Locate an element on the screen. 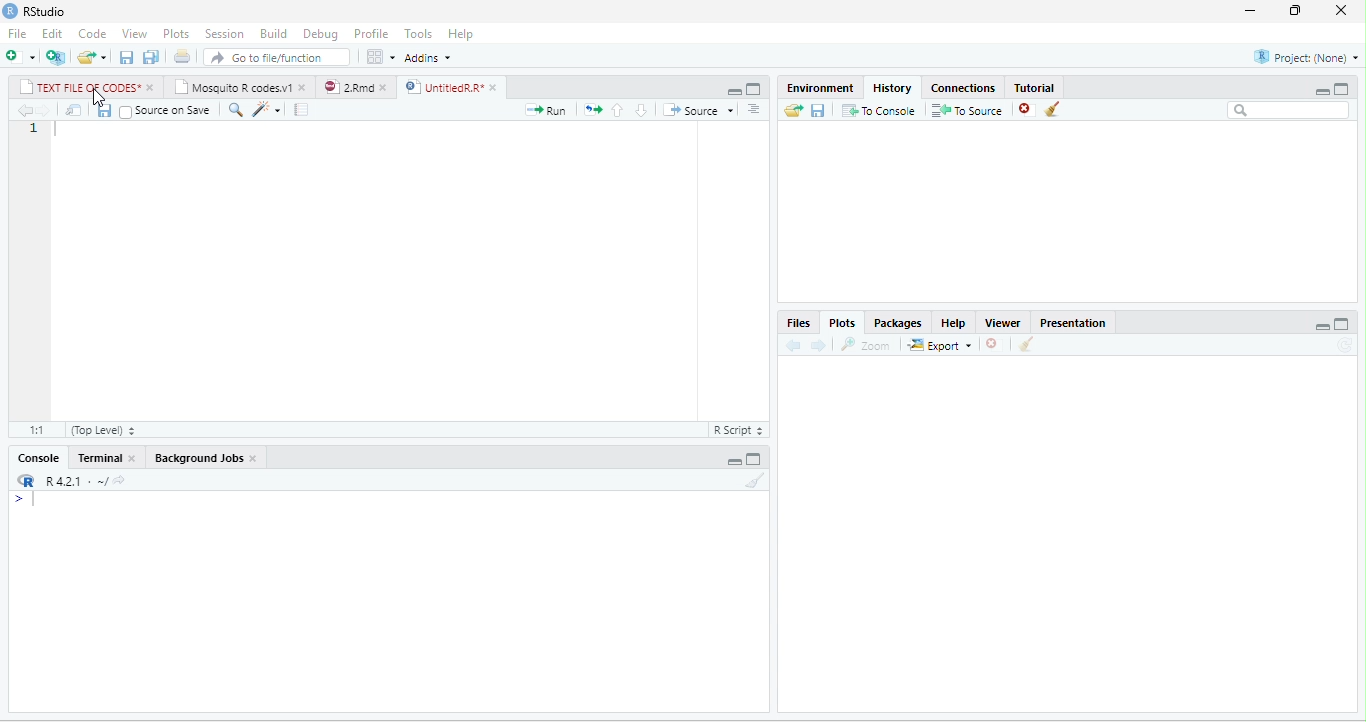 Image resolution: width=1366 pixels, height=722 pixels. save is located at coordinates (128, 57).